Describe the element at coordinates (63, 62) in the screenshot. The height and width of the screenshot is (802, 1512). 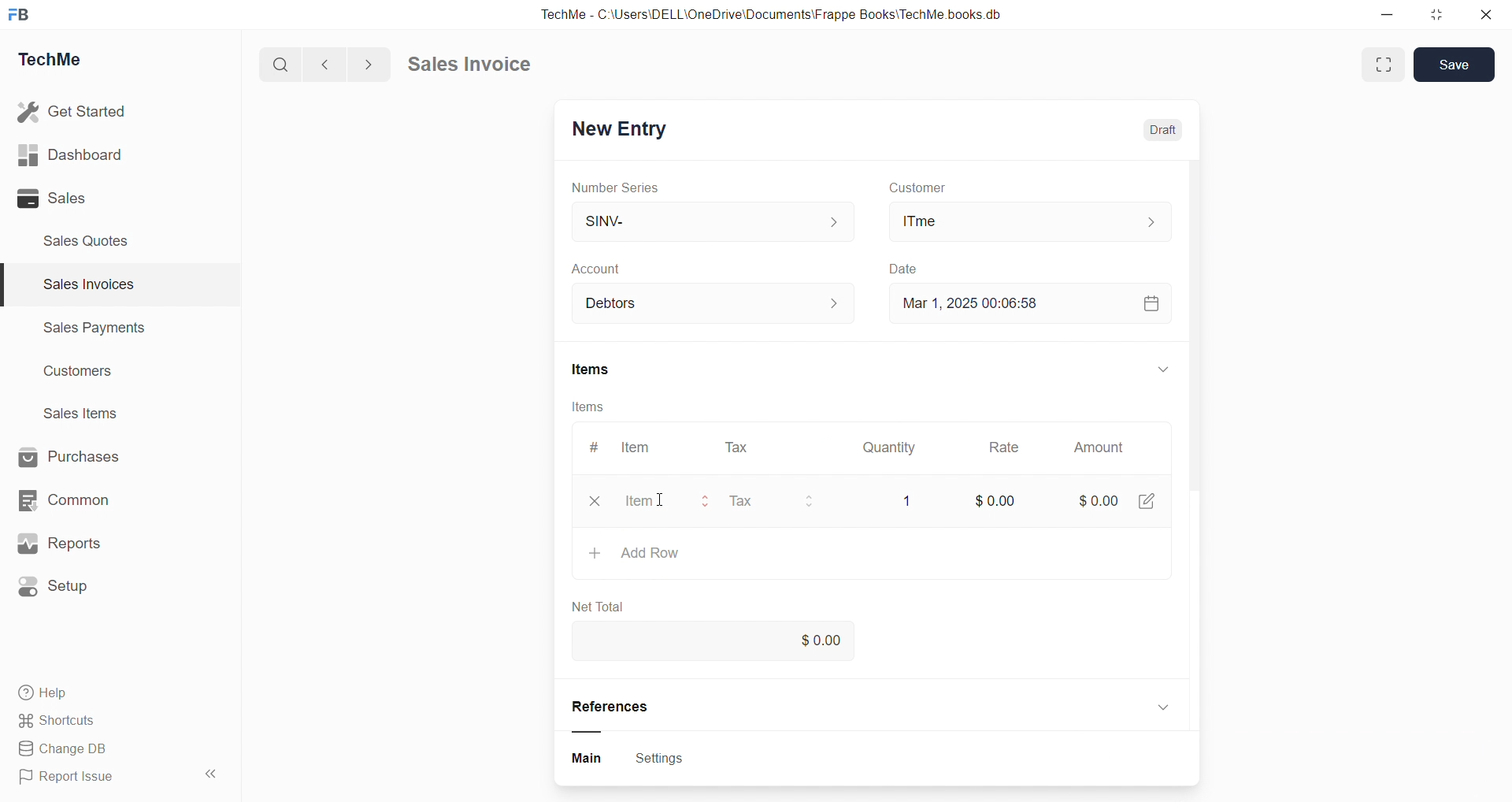
I see `TechMe` at that location.